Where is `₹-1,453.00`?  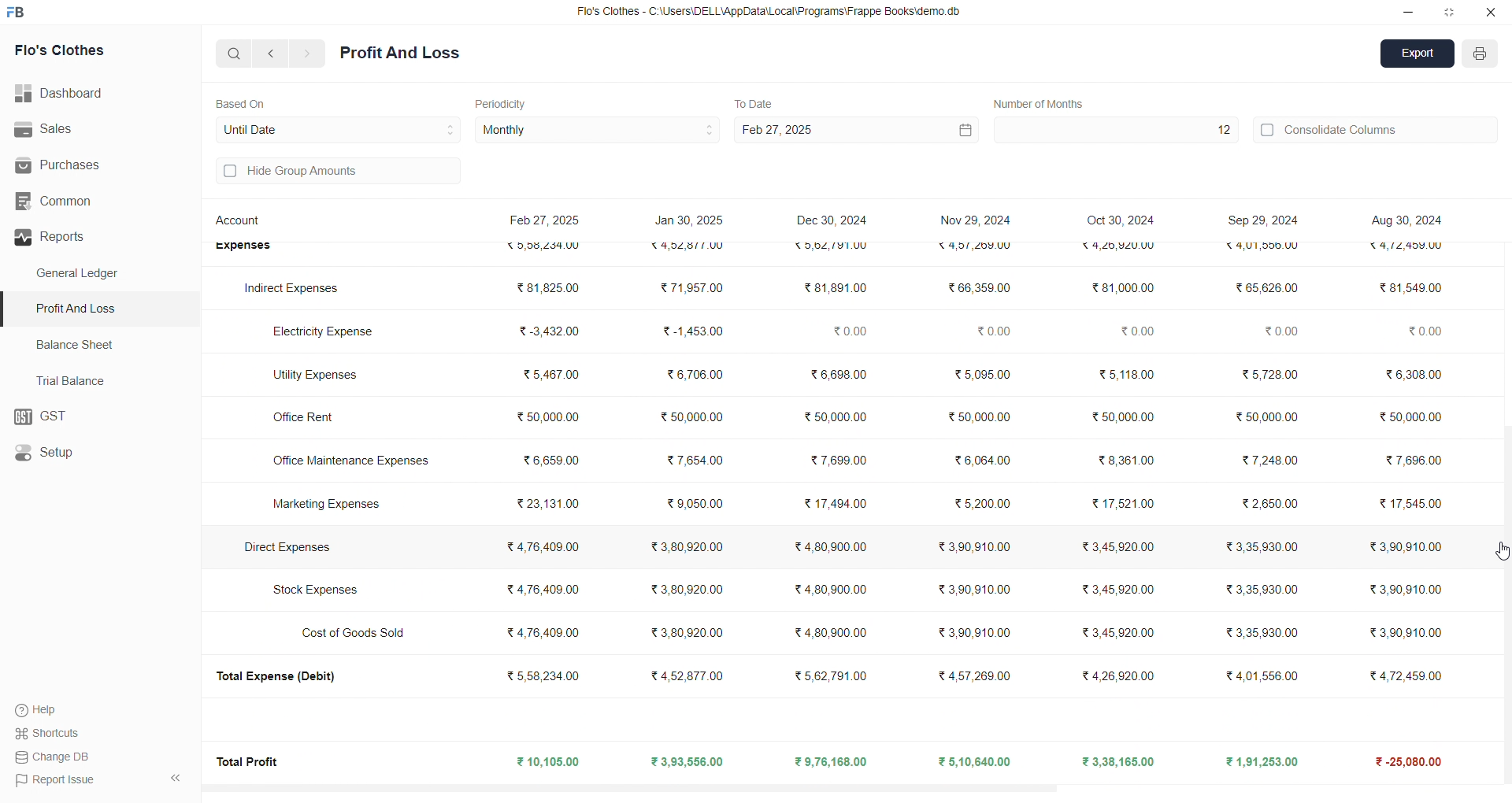
₹-1,453.00 is located at coordinates (692, 331).